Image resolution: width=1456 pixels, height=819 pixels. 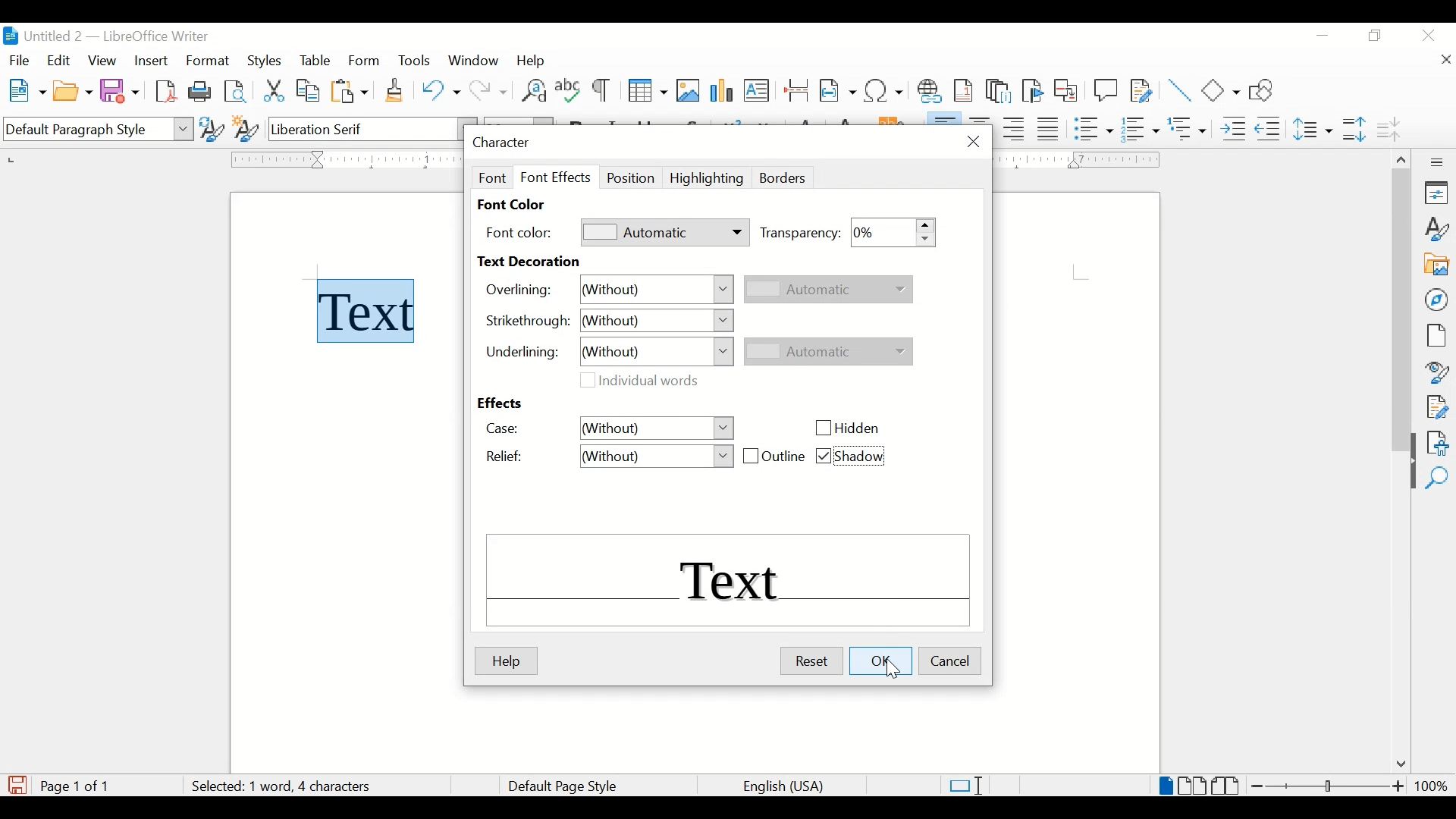 I want to click on without dropdown menu, so click(x=657, y=351).